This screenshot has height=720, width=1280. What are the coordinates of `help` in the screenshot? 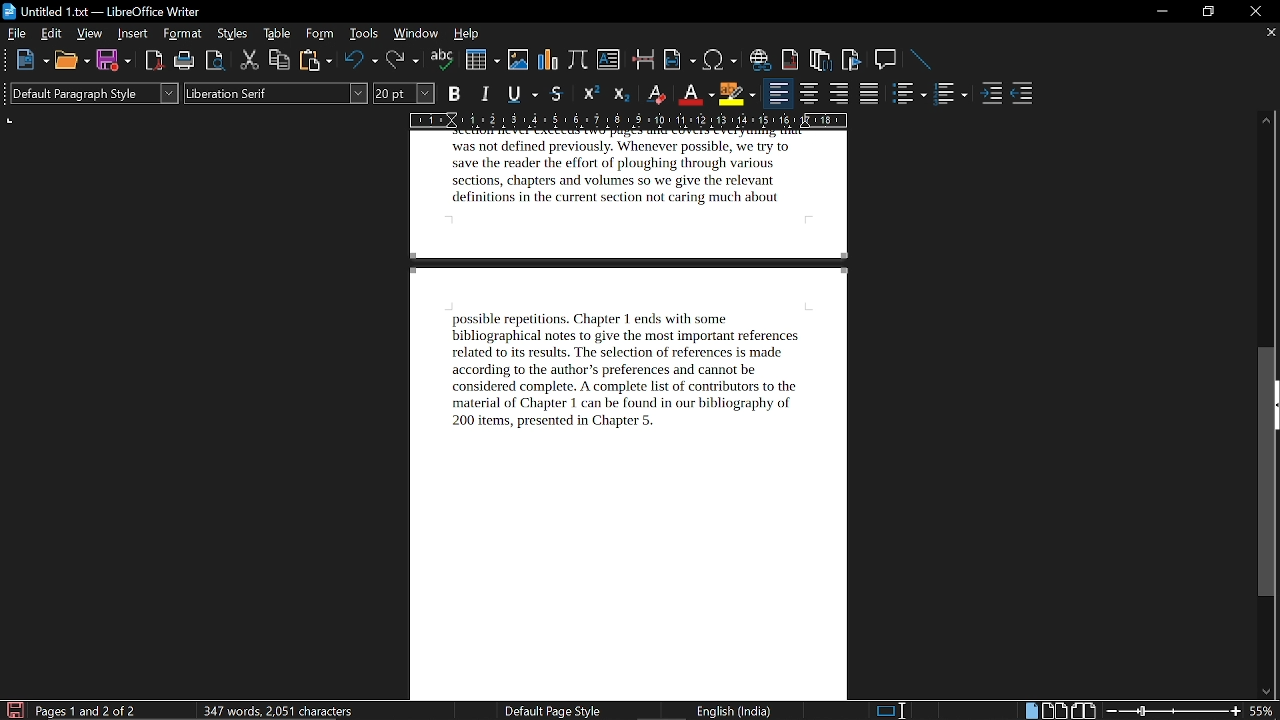 It's located at (466, 34).